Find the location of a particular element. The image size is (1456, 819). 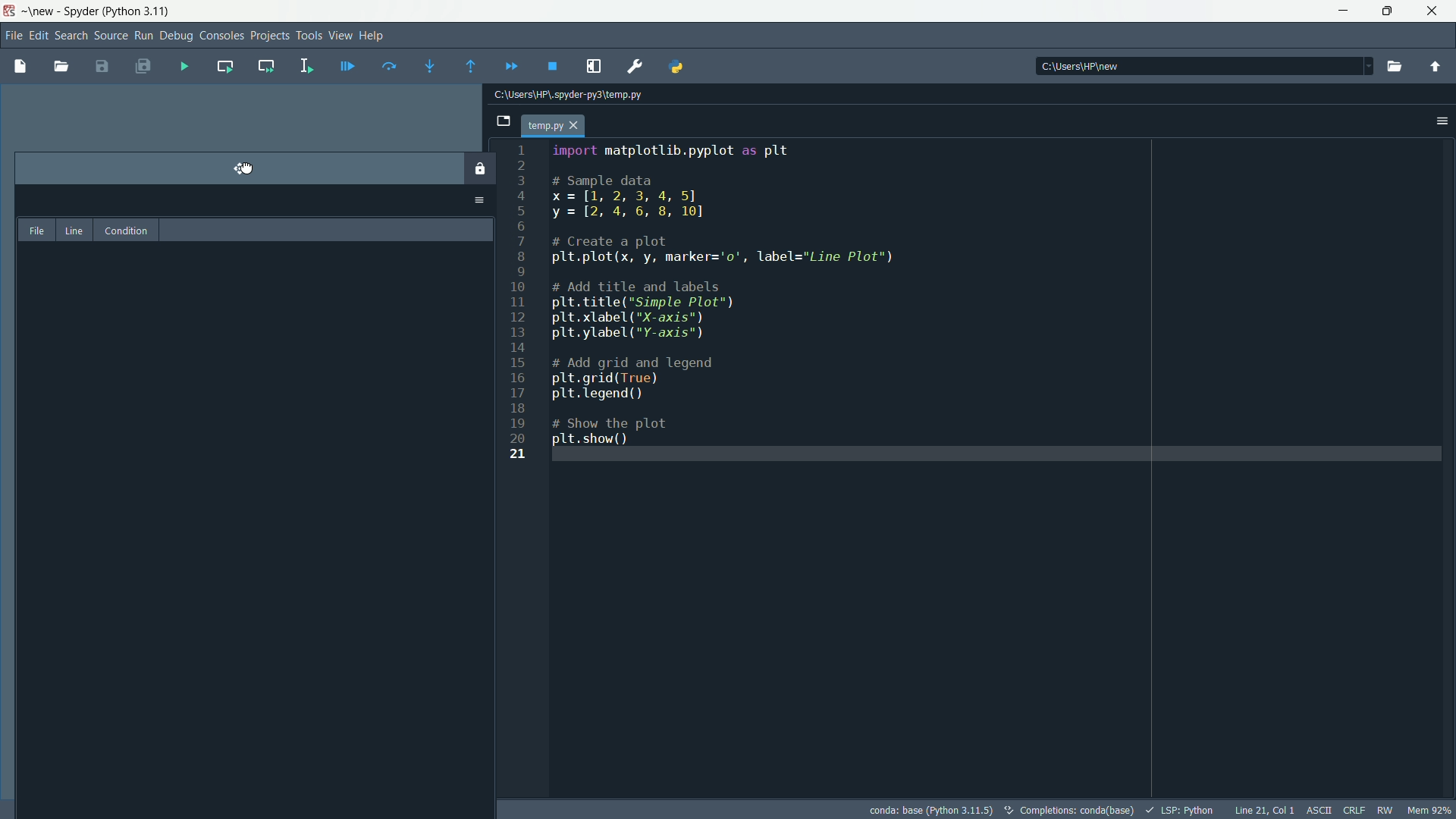

search menu is located at coordinates (72, 36).